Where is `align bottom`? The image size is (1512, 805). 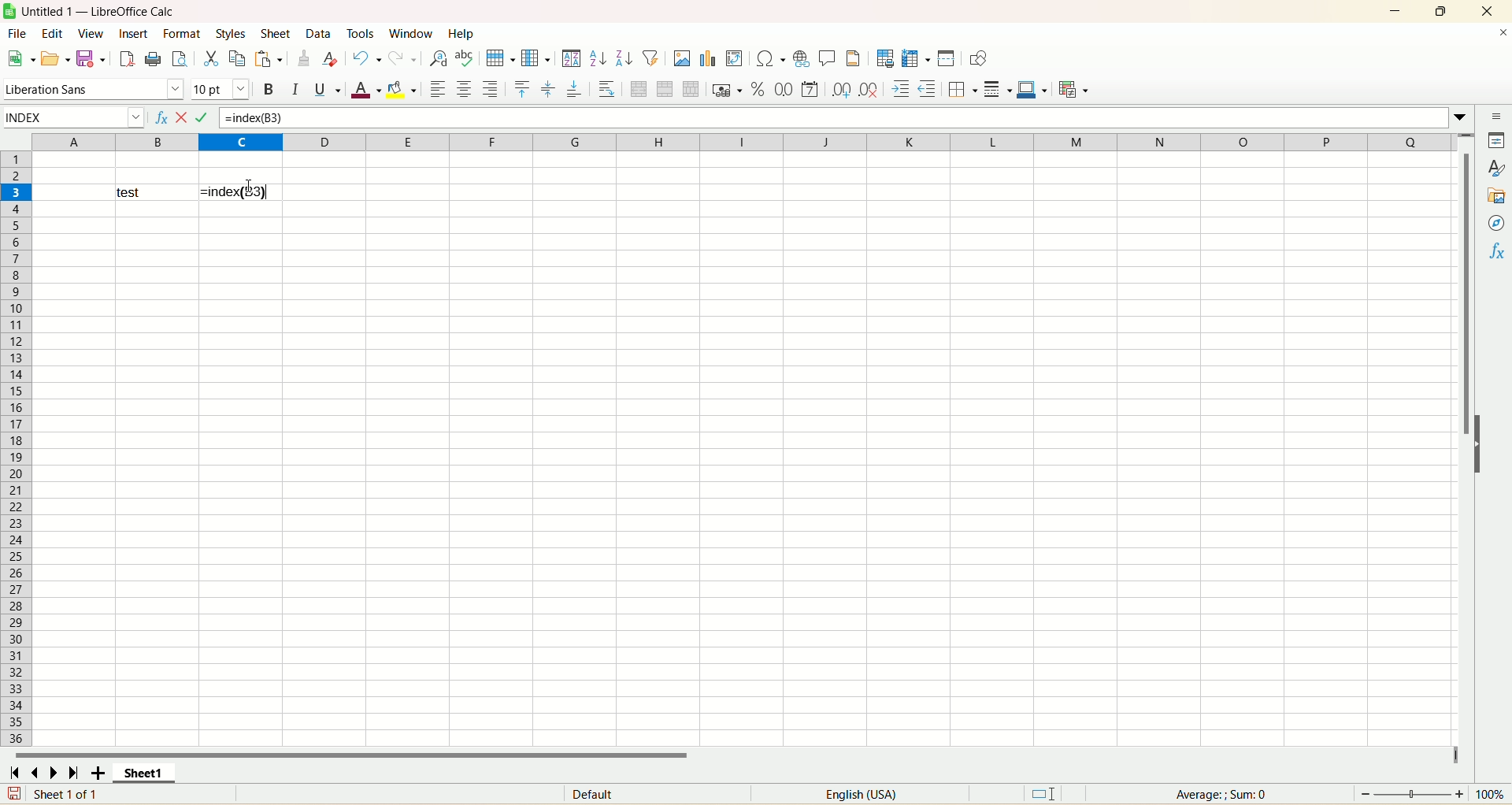 align bottom is located at coordinates (575, 88).